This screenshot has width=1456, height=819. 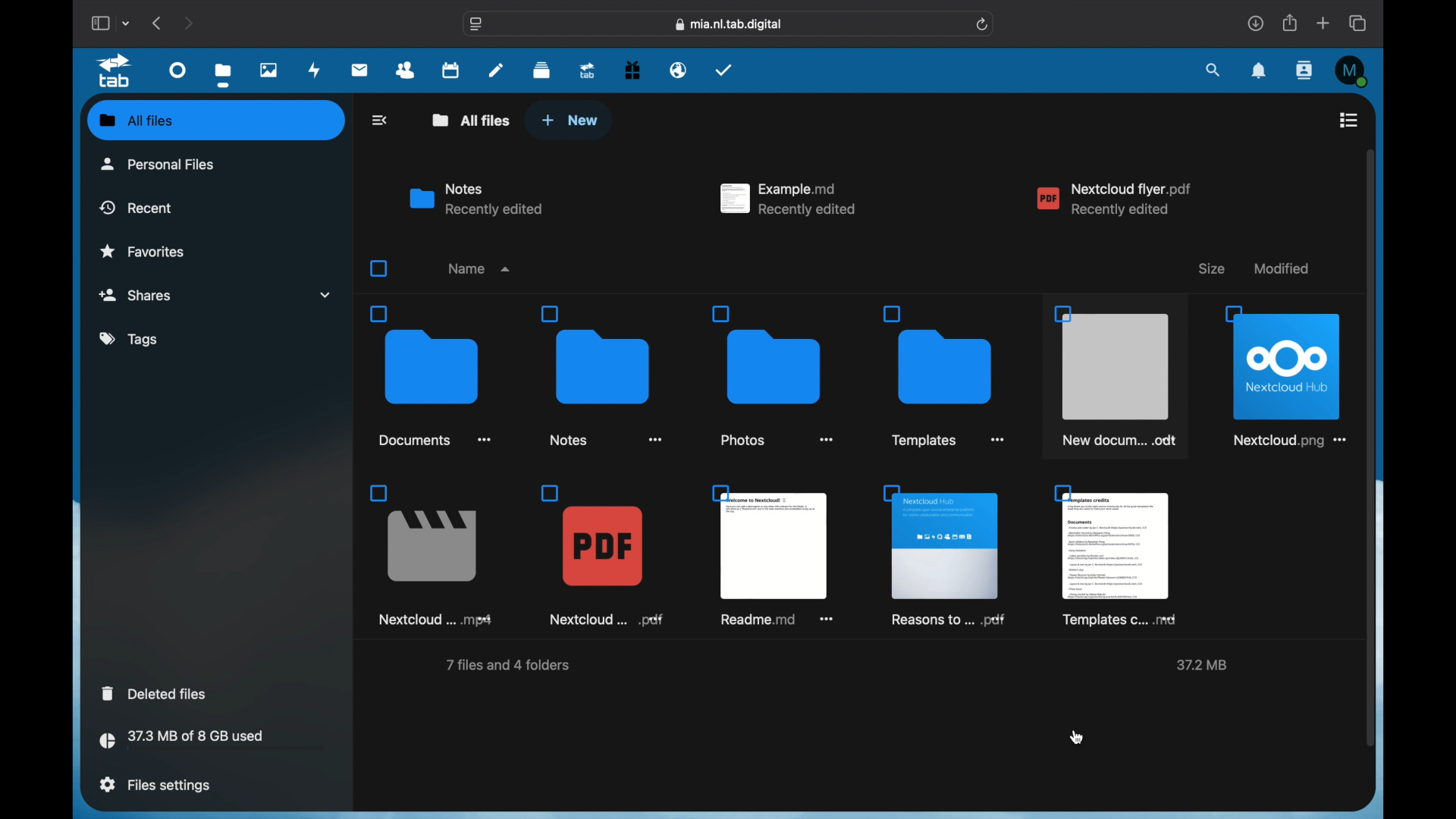 I want to click on file, so click(x=775, y=557).